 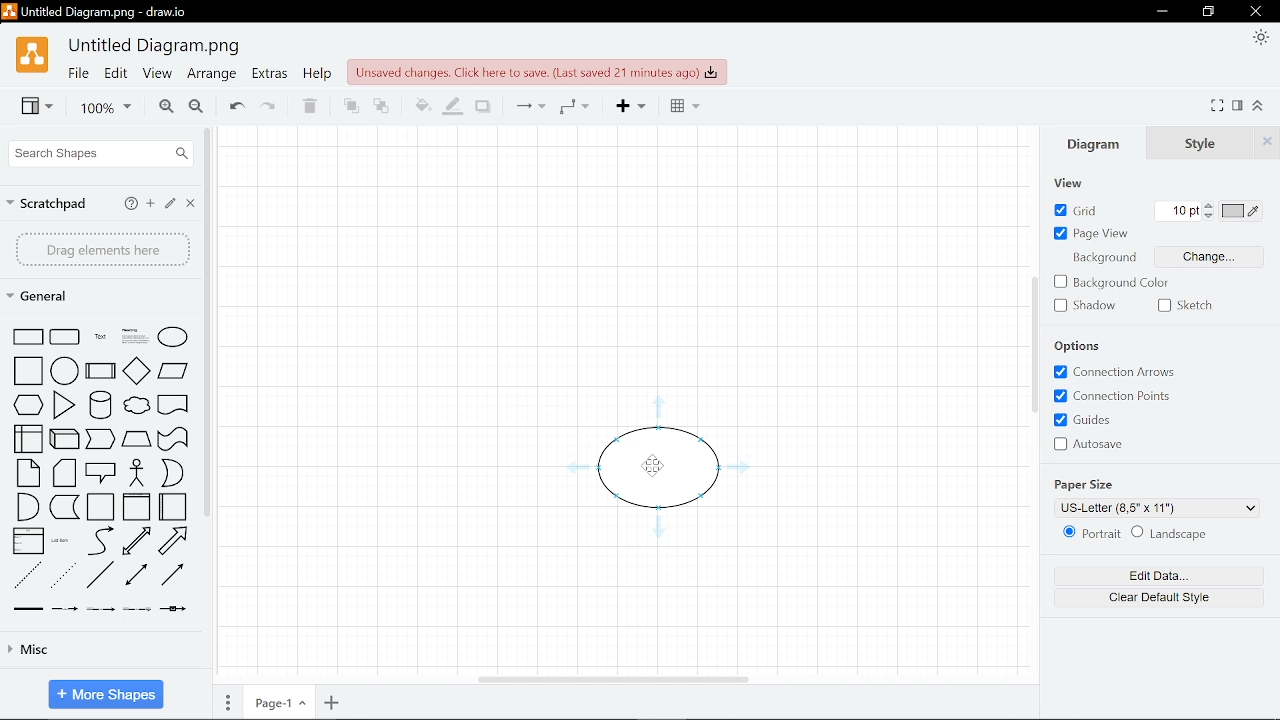 What do you see at coordinates (616, 680) in the screenshot?
I see `Horizontal scrollbar` at bounding box center [616, 680].